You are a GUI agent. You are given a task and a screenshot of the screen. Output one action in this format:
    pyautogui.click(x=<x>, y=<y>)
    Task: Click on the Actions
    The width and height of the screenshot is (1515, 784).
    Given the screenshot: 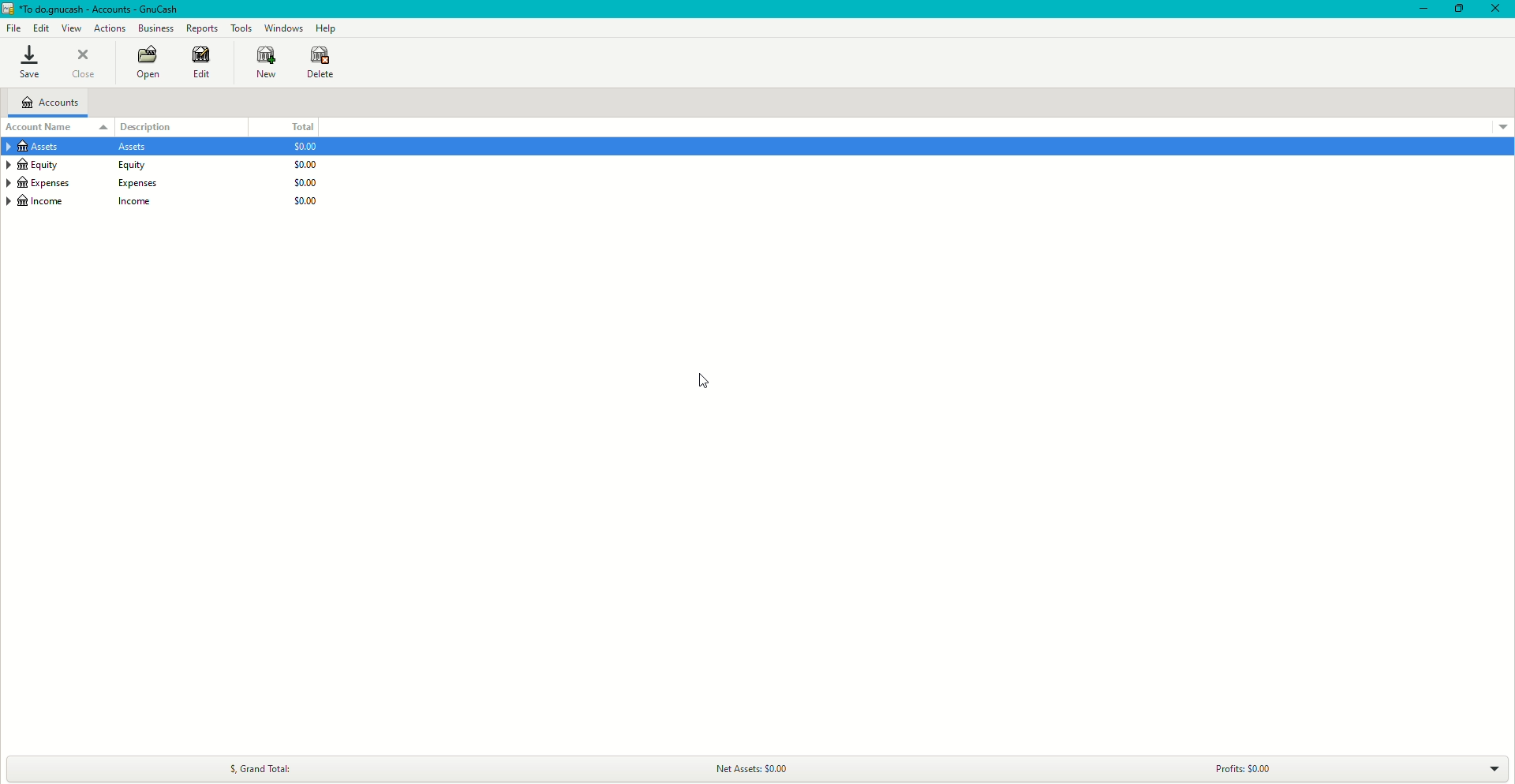 What is the action you would take?
    pyautogui.click(x=110, y=28)
    